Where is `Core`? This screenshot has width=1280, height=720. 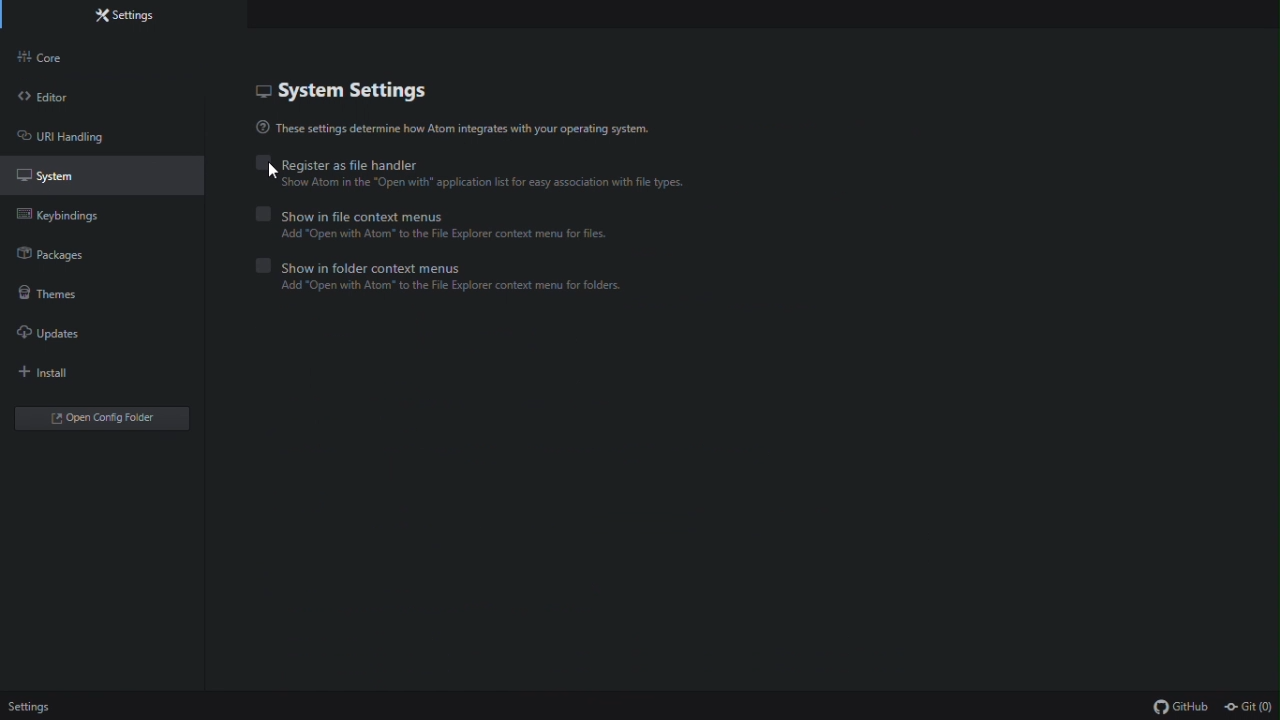 Core is located at coordinates (71, 60).